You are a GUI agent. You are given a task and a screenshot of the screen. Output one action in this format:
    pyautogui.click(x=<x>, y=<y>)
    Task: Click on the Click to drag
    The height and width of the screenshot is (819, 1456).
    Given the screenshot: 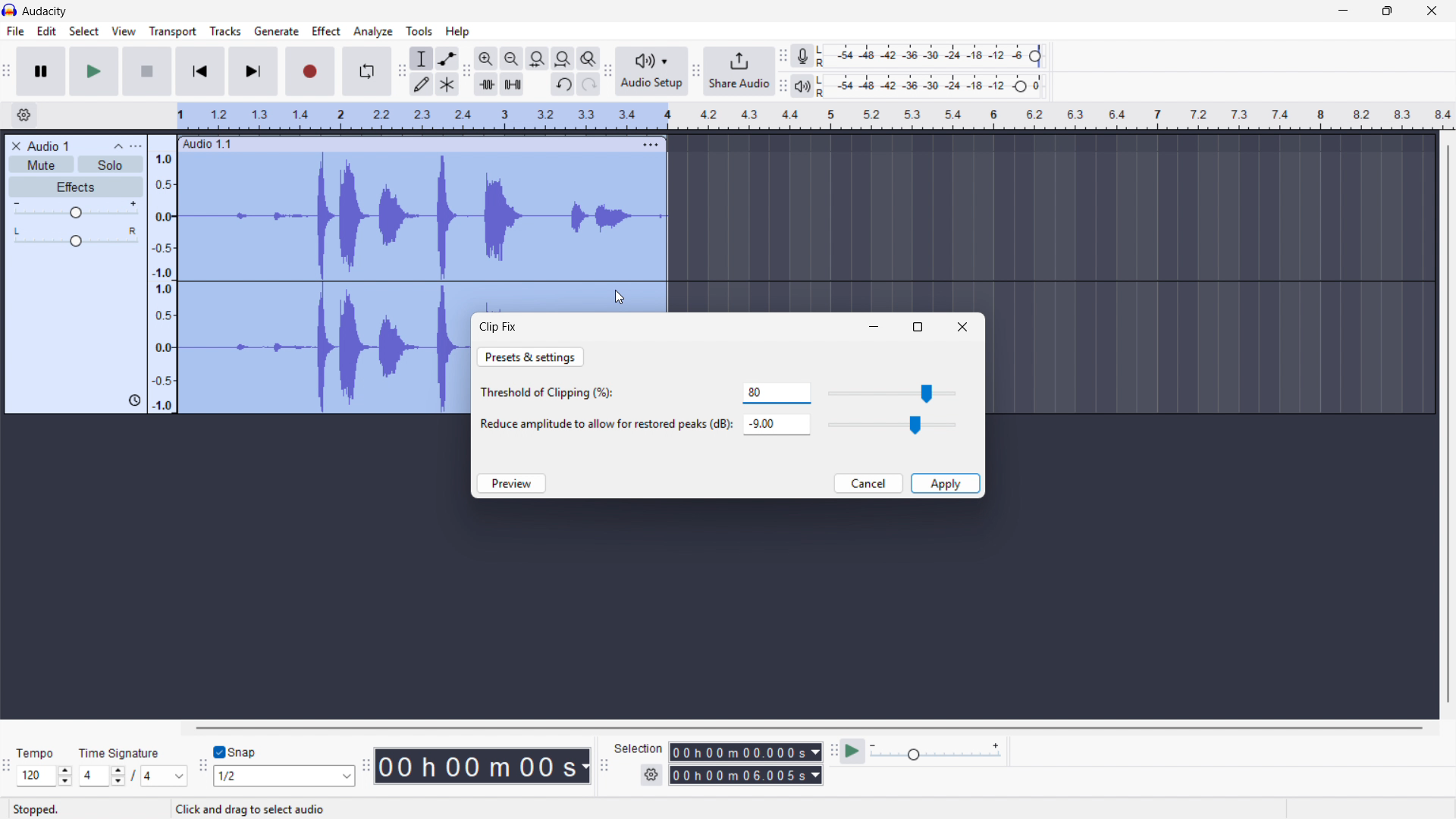 What is the action you would take?
    pyautogui.click(x=407, y=143)
    